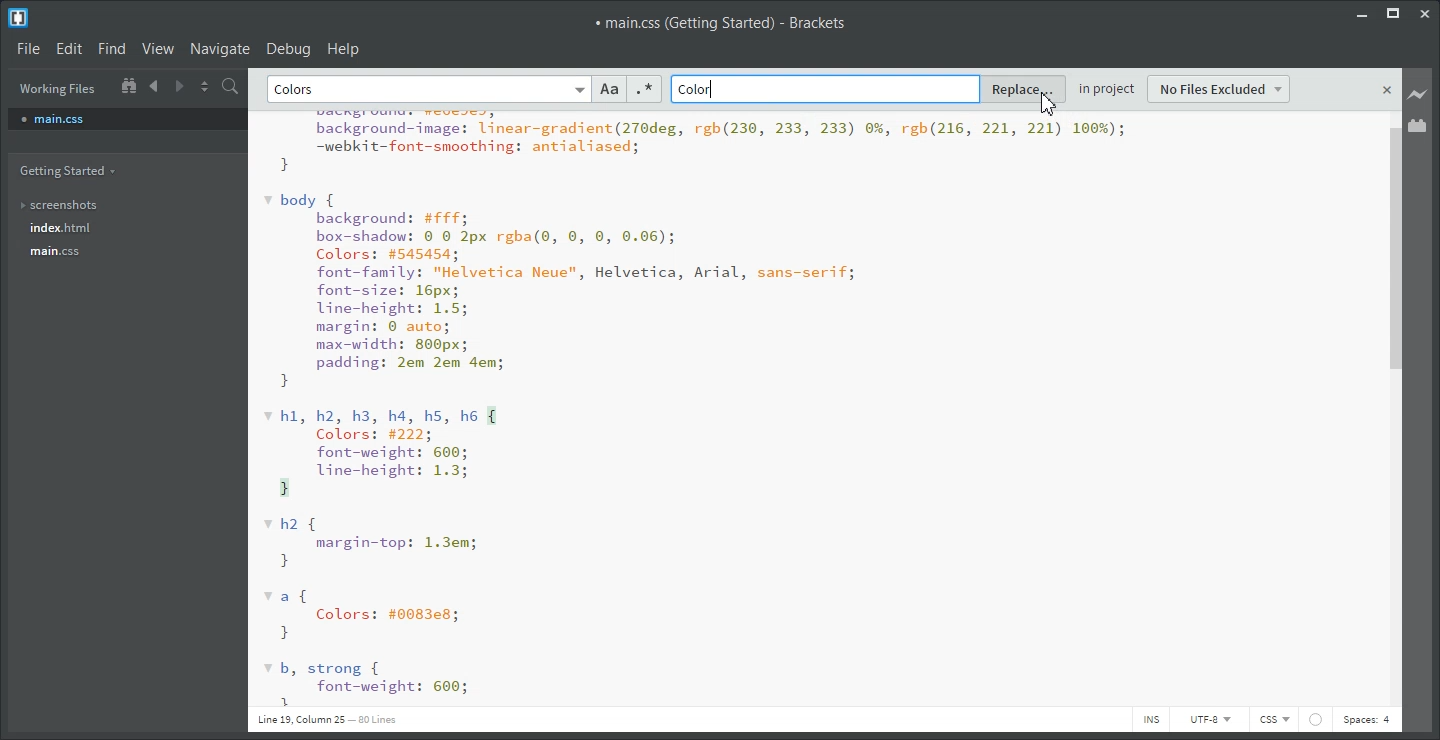  Describe the element at coordinates (697, 90) in the screenshot. I see `Color` at that location.